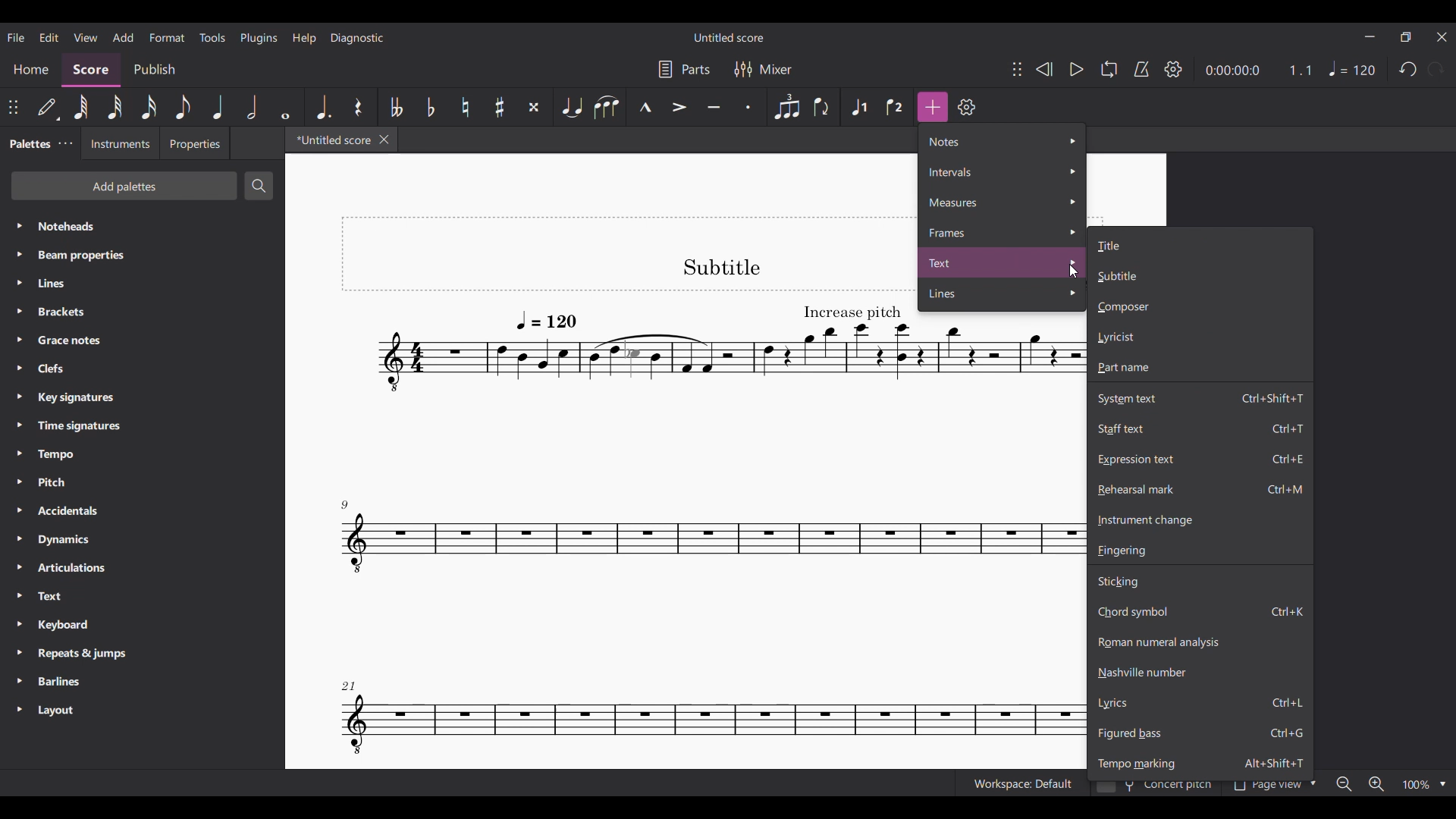 This screenshot has width=1456, height=819. Describe the element at coordinates (1200, 611) in the screenshot. I see `Chord symbol` at that location.